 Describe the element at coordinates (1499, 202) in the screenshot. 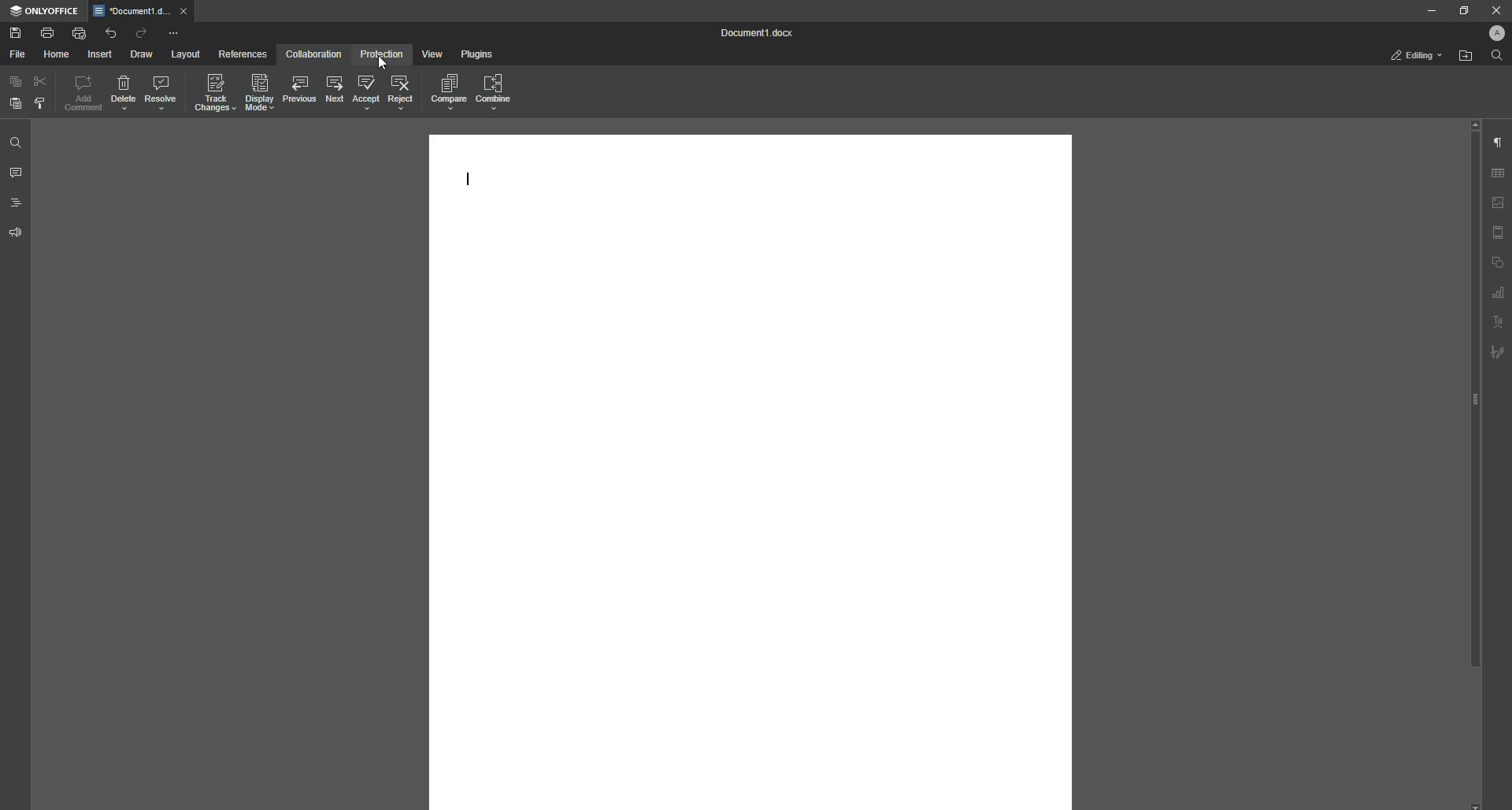

I see `Image settings` at that location.